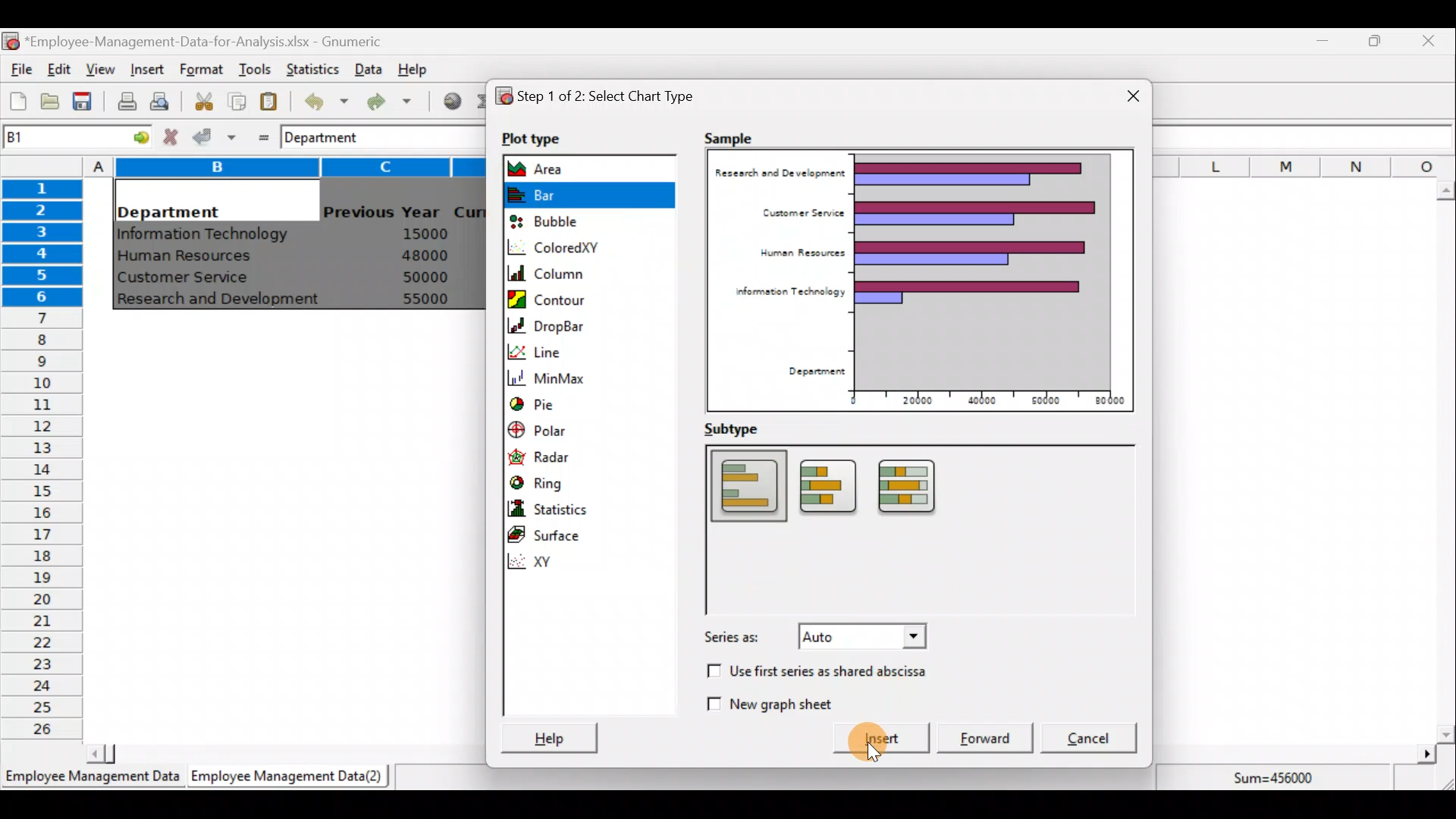 This screenshot has width=1456, height=819. Describe the element at coordinates (236, 99) in the screenshot. I see `Copy the selection` at that location.